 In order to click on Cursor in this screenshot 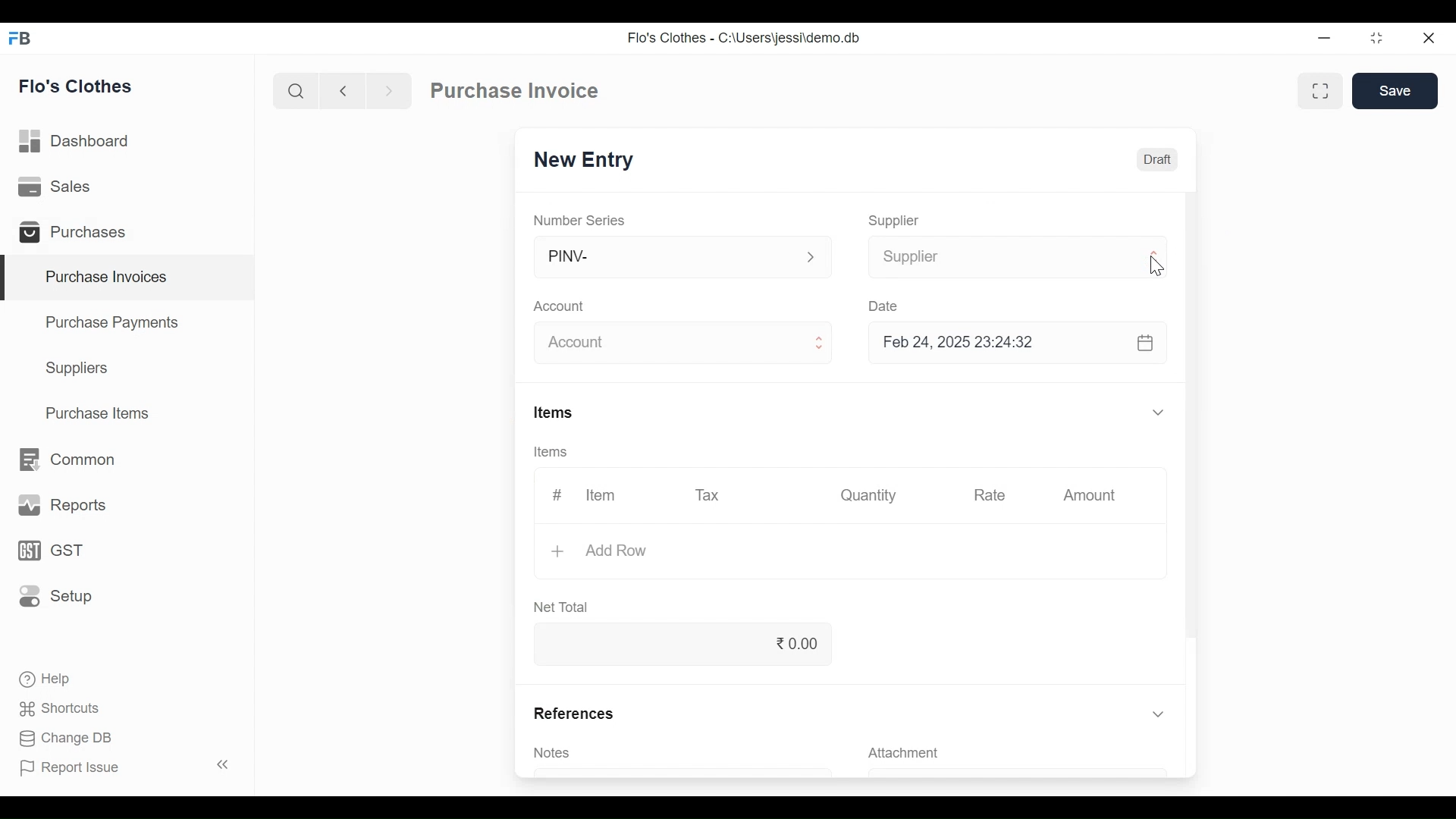, I will do `click(1153, 268)`.